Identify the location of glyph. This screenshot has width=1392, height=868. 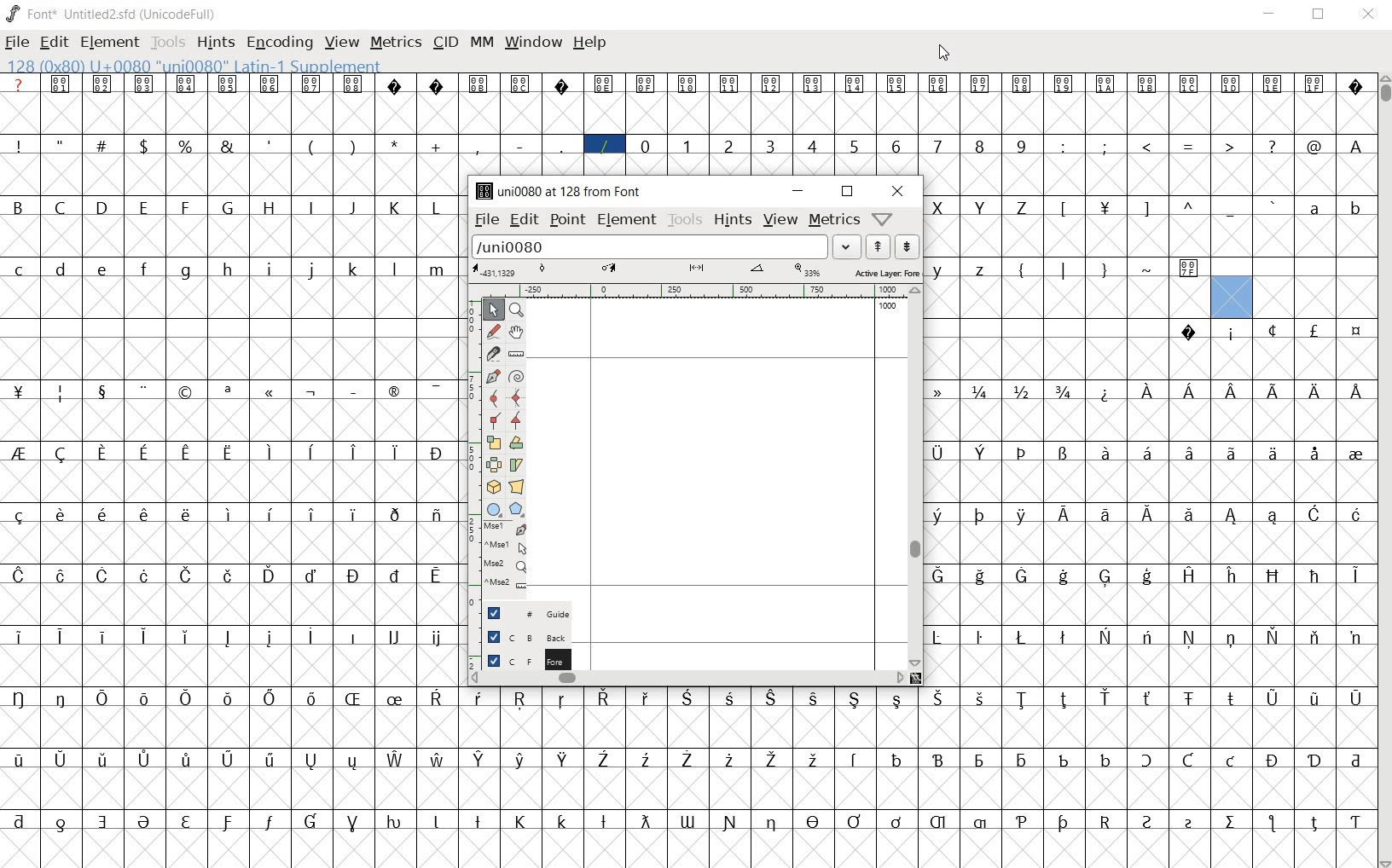
(270, 208).